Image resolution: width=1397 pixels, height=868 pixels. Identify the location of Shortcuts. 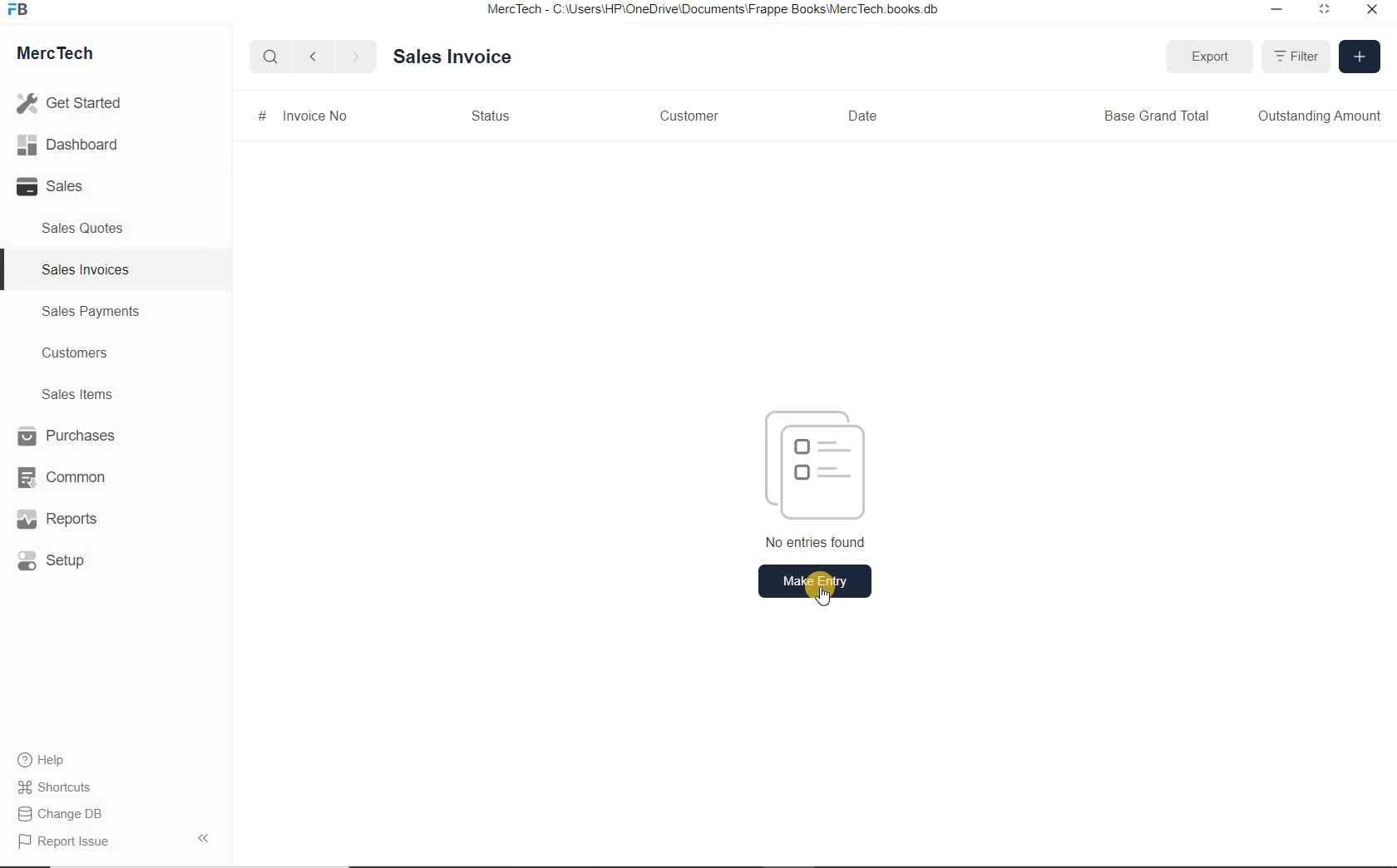
(62, 788).